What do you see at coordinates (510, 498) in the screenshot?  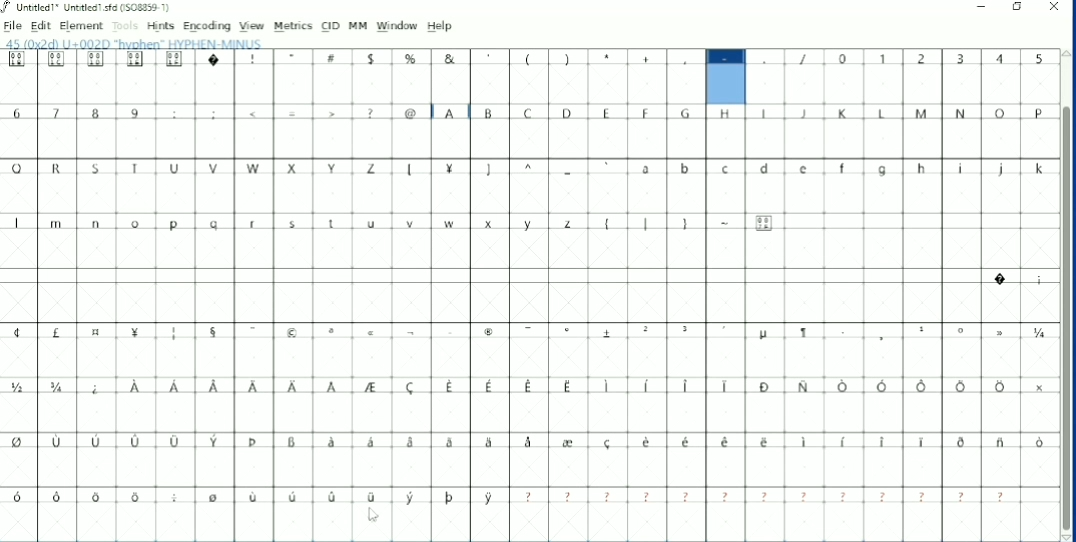 I see `Symbols` at bounding box center [510, 498].